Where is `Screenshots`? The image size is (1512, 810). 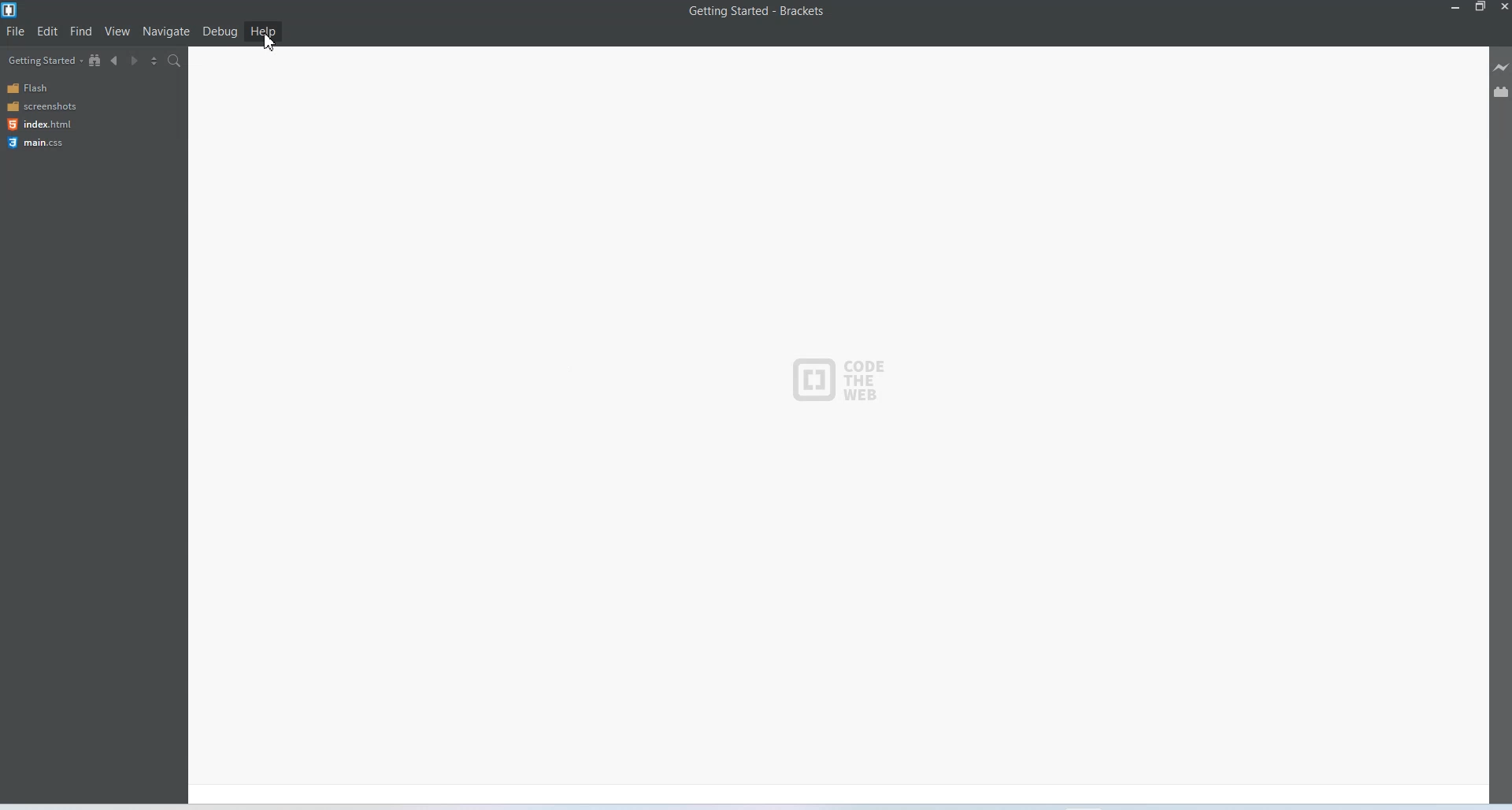
Screenshots is located at coordinates (43, 106).